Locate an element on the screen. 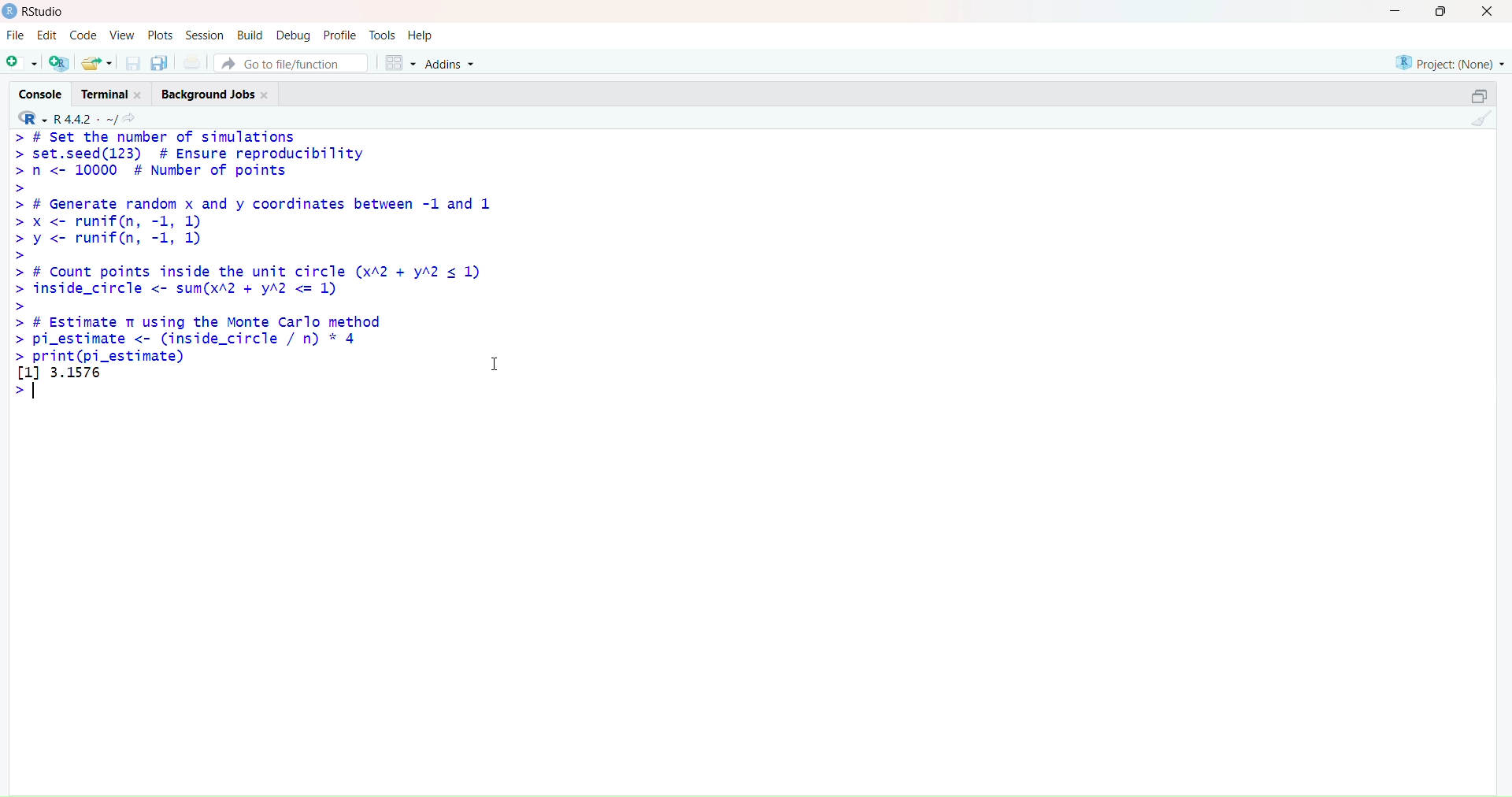 This screenshot has width=1512, height=797. > # Set the number of simulations

> set.seed(123) # Ensure reproducibility

> n <- 10000 # Number of points

>

> # Generate random x and y coordinates between -1 and 1
> x <= runif(n, -1, 1)

> y <- runif(n, -1, 1)

>

> # Count points inside the unit circle (xA2 + yA2 < 1)
> inside_circle <- sum(xA2 + yA2 <= 1)

>

> # Estimate m using the Monte Carlo method

> pi_estimate <- (inside_circle / n) * 4

> print(pi_estimate) 1
[1] 3.1576

>| is located at coordinates (268, 276).